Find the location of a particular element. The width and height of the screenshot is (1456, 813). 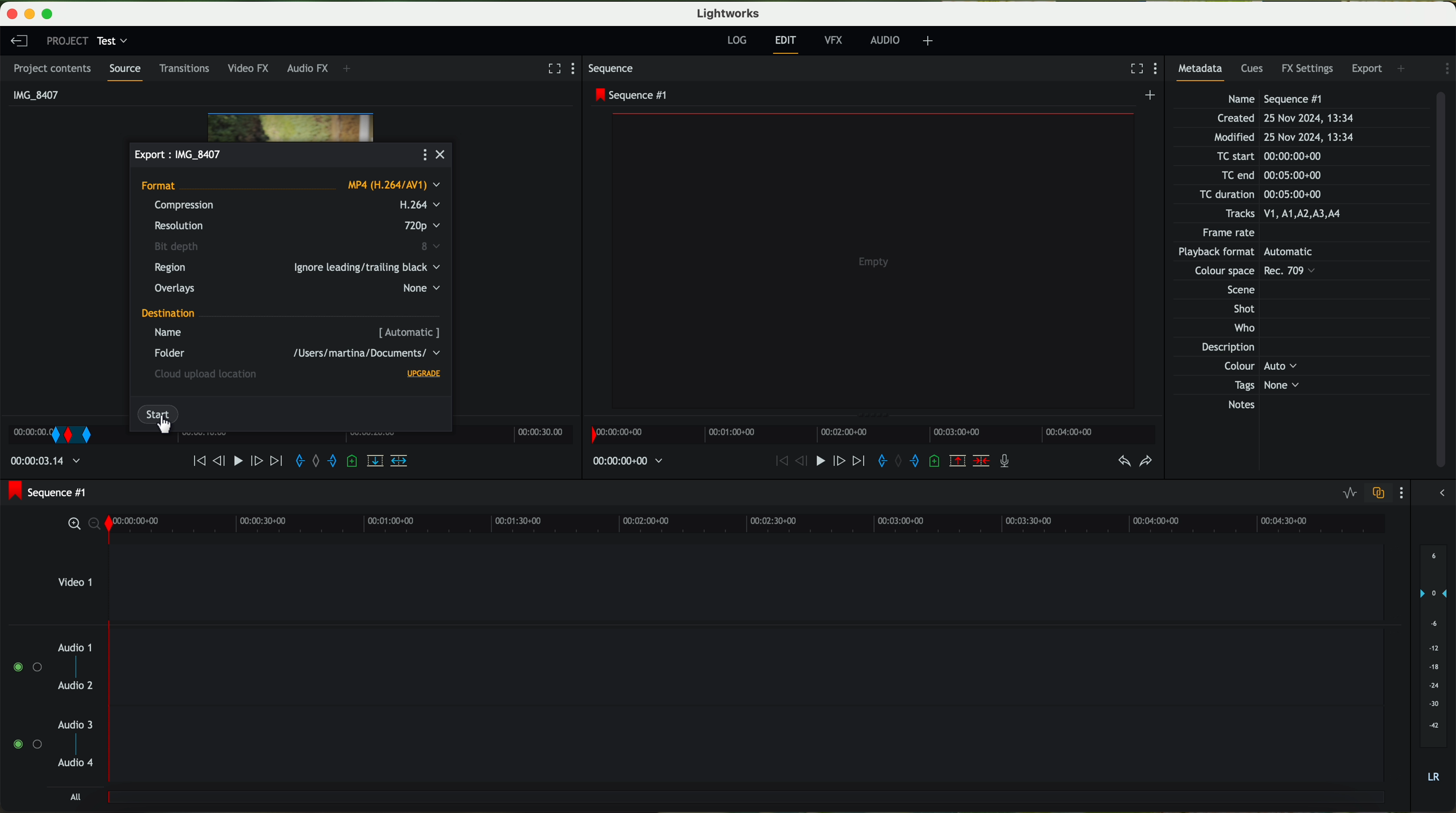

AUDIO is located at coordinates (883, 40).